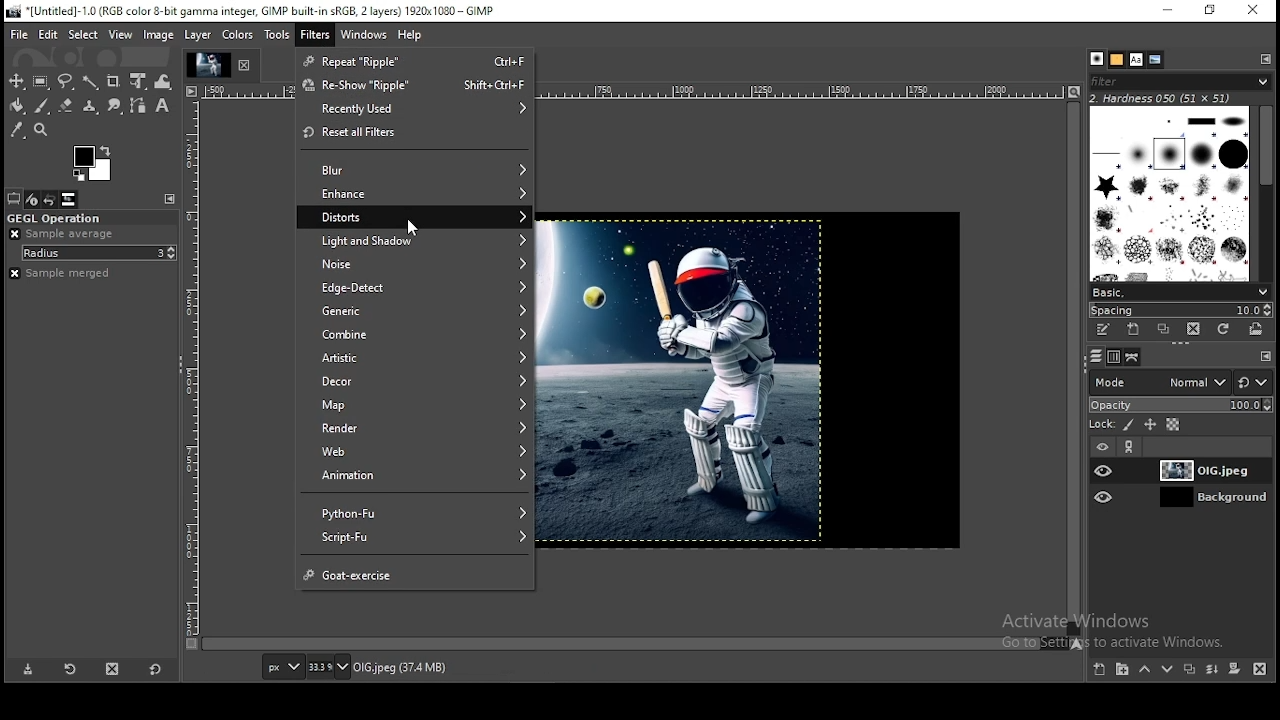 This screenshot has height=720, width=1280. Describe the element at coordinates (1180, 404) in the screenshot. I see `opacity` at that location.